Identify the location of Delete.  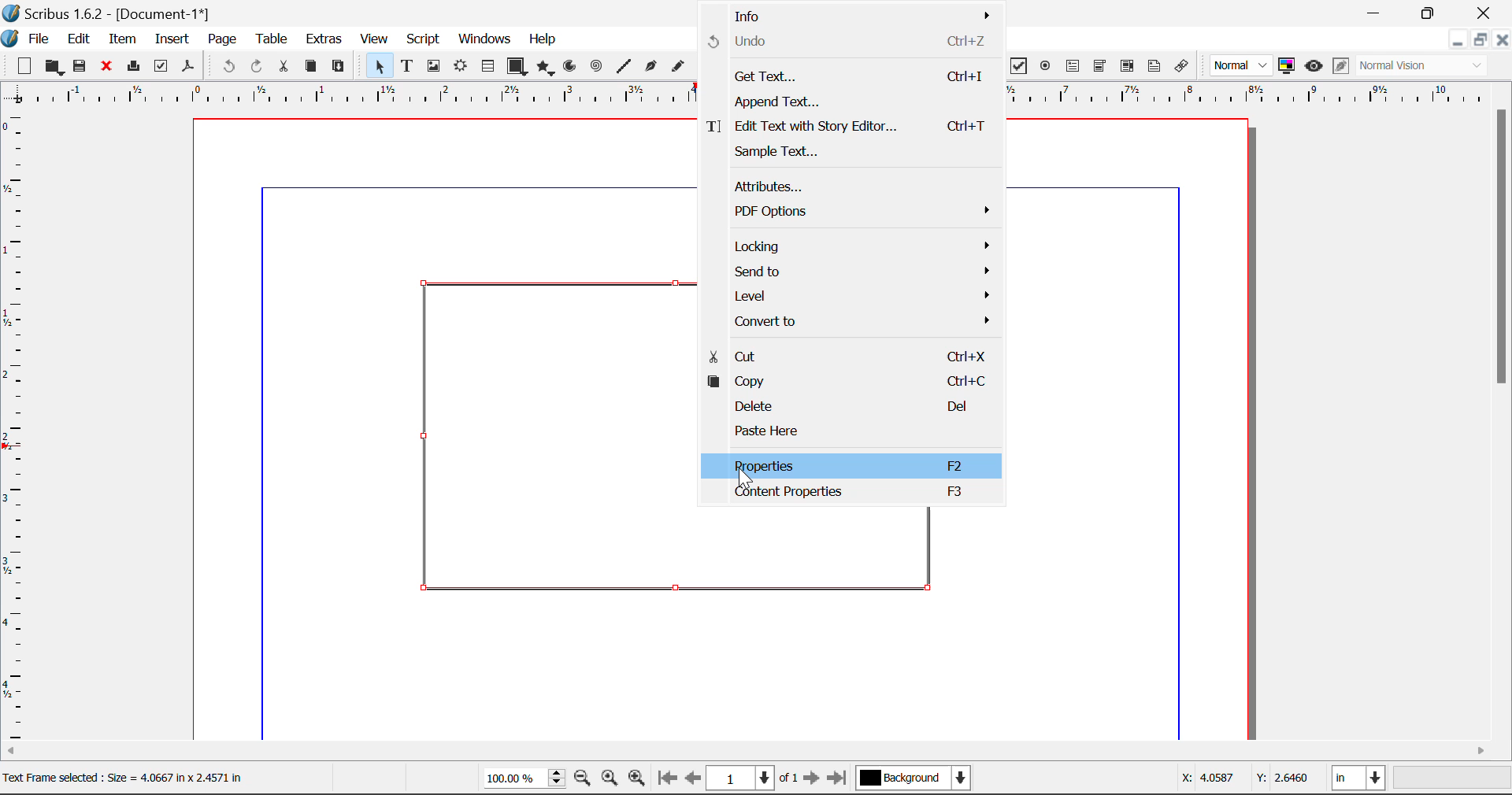
(850, 405).